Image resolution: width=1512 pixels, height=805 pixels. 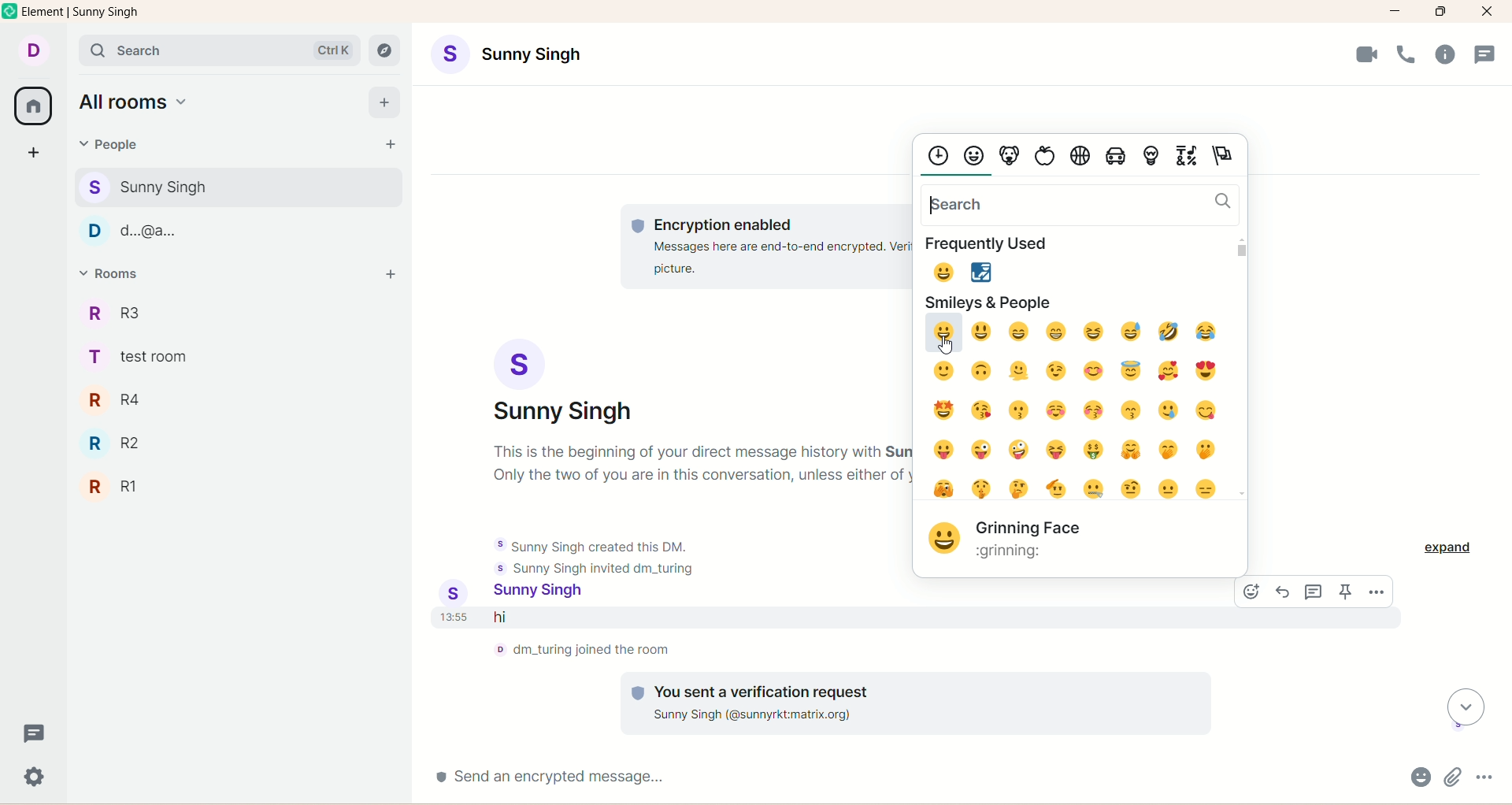 I want to click on Flags, so click(x=1224, y=158).